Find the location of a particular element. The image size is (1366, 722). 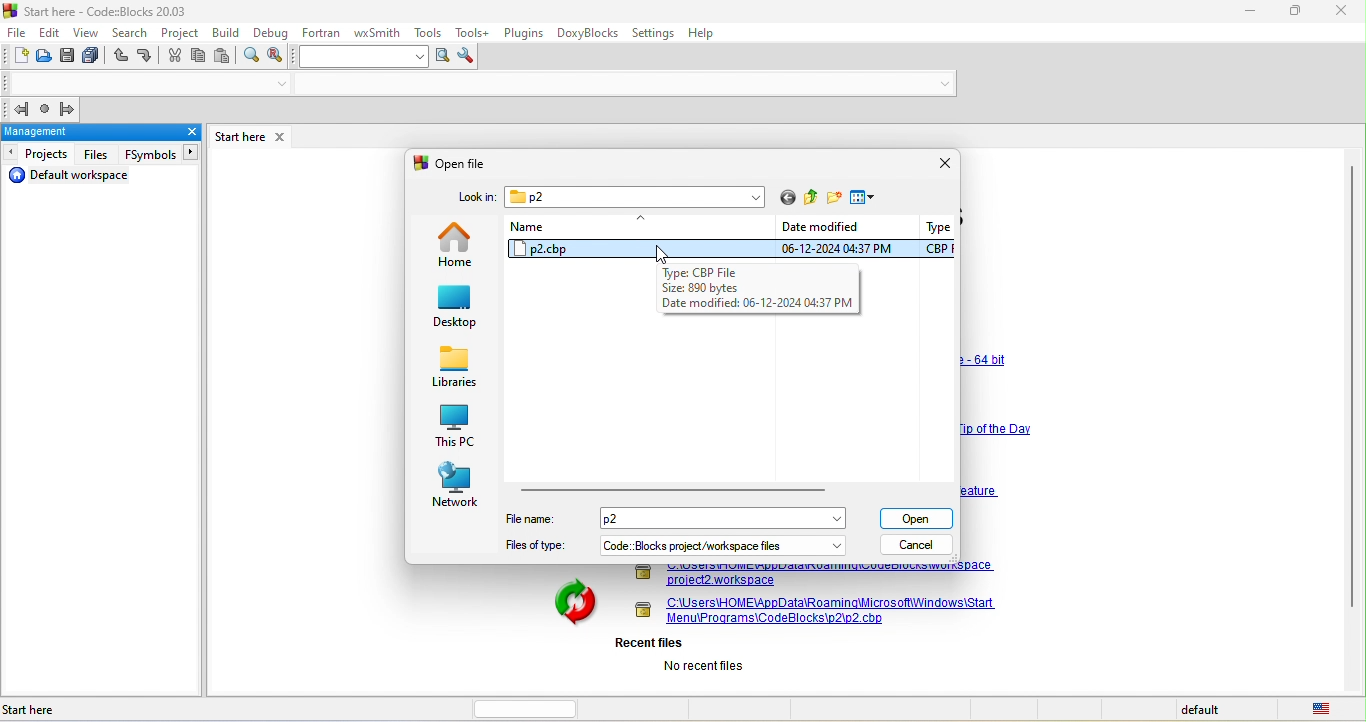

file name is located at coordinates (658, 519).